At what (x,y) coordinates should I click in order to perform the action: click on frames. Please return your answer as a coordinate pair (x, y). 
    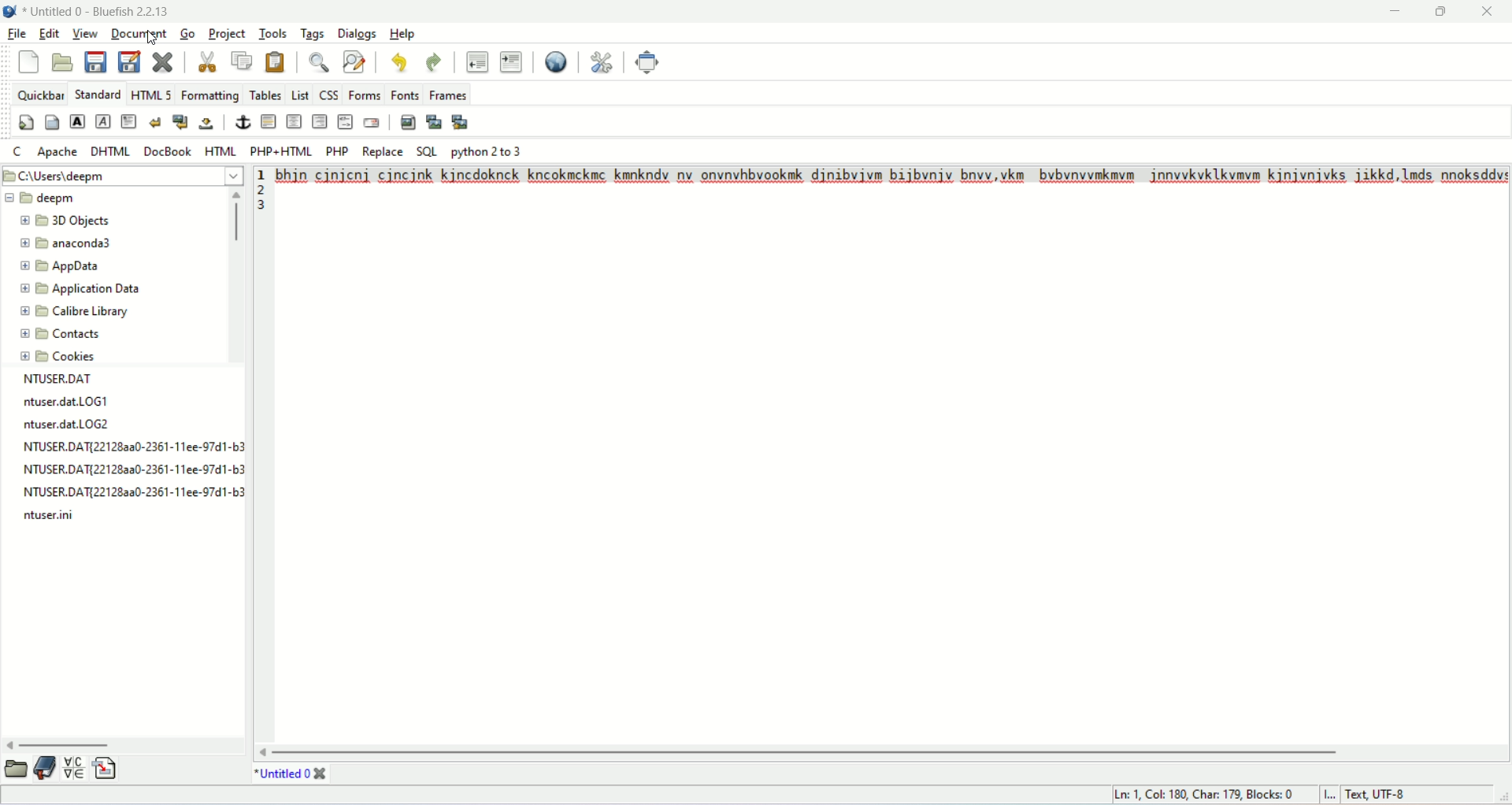
    Looking at the image, I should click on (450, 94).